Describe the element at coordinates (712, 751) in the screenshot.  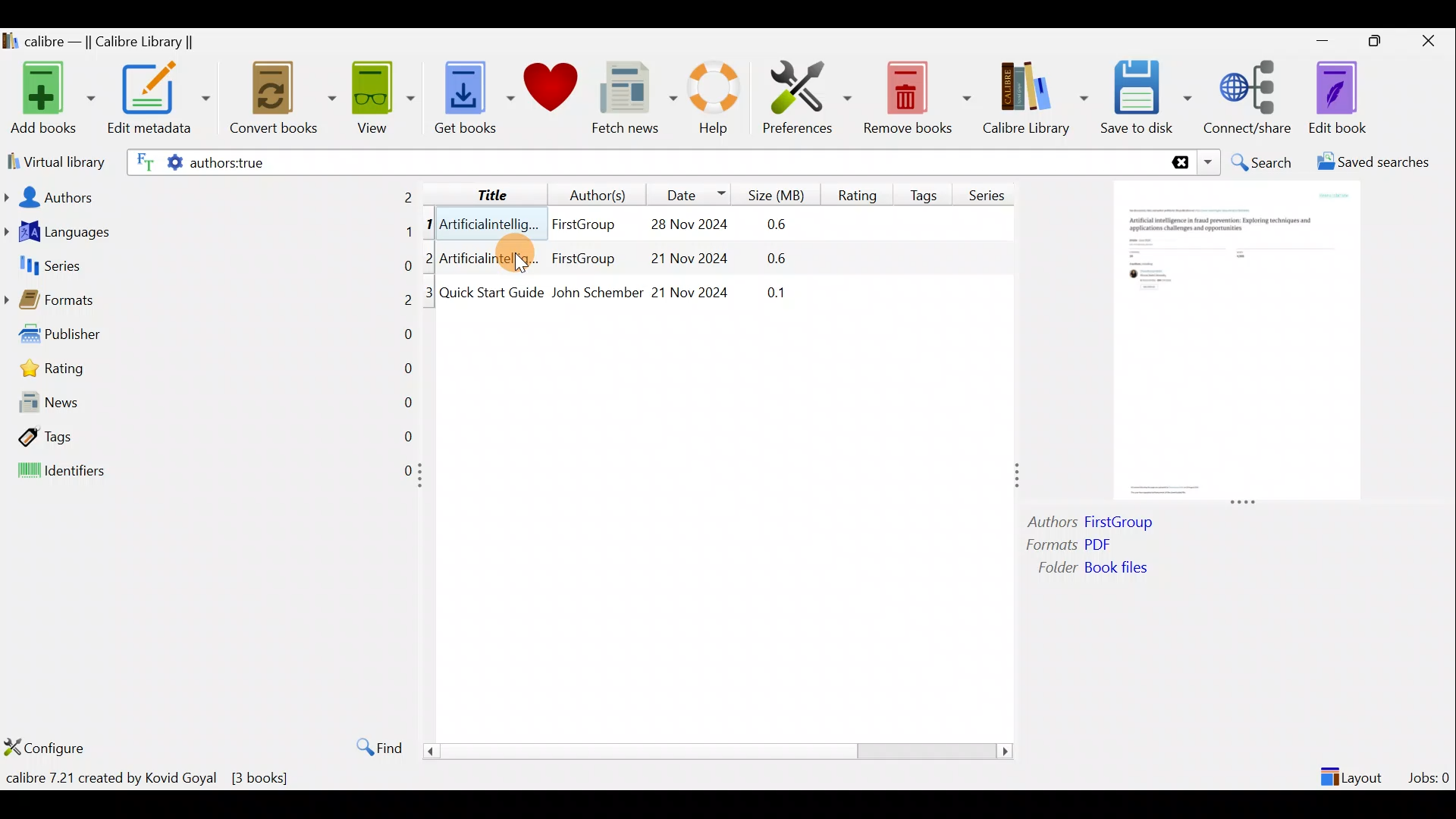
I see `Scroll bar` at that location.